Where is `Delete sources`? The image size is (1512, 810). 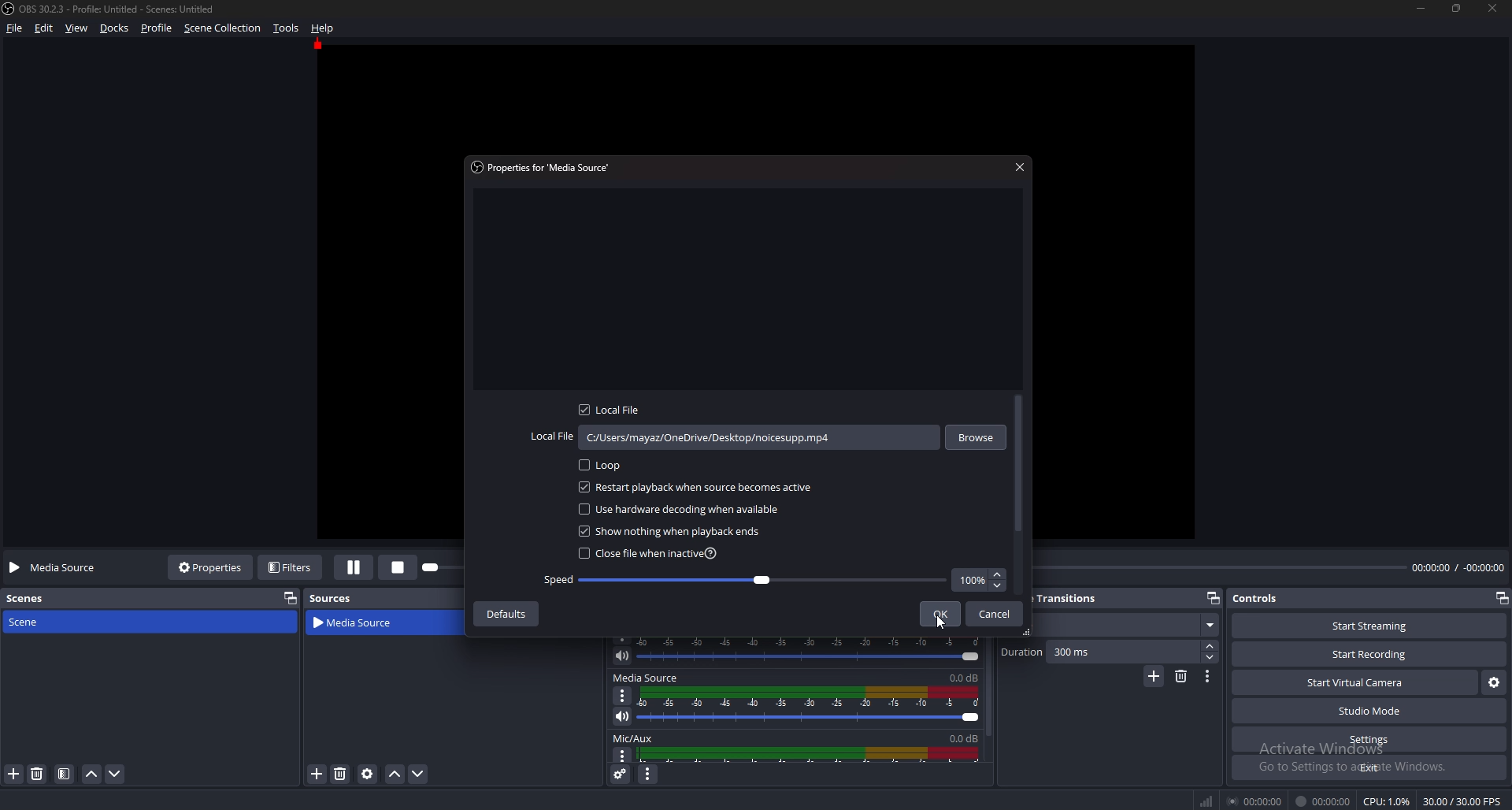
Delete sources is located at coordinates (341, 774).